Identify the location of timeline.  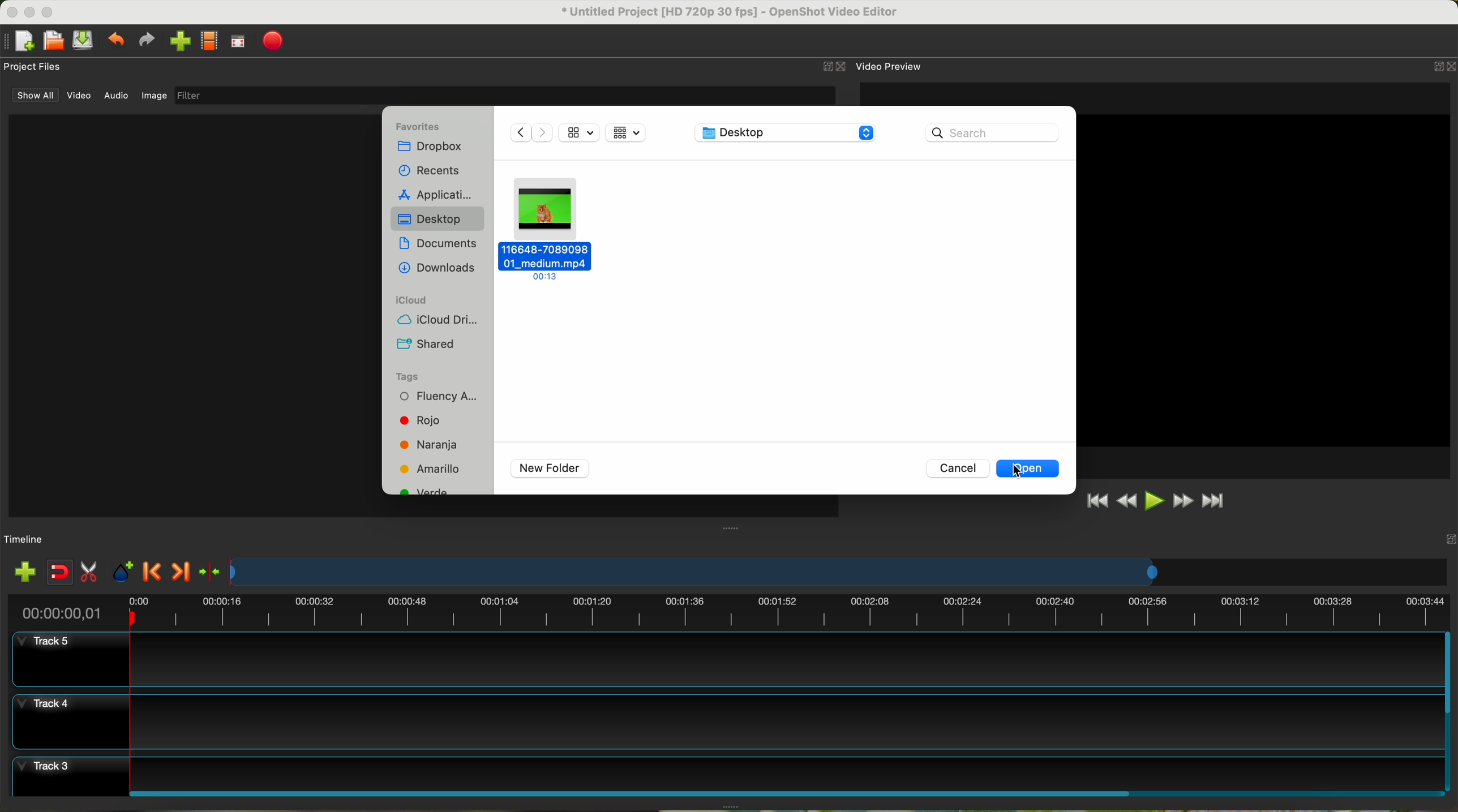
(840, 572).